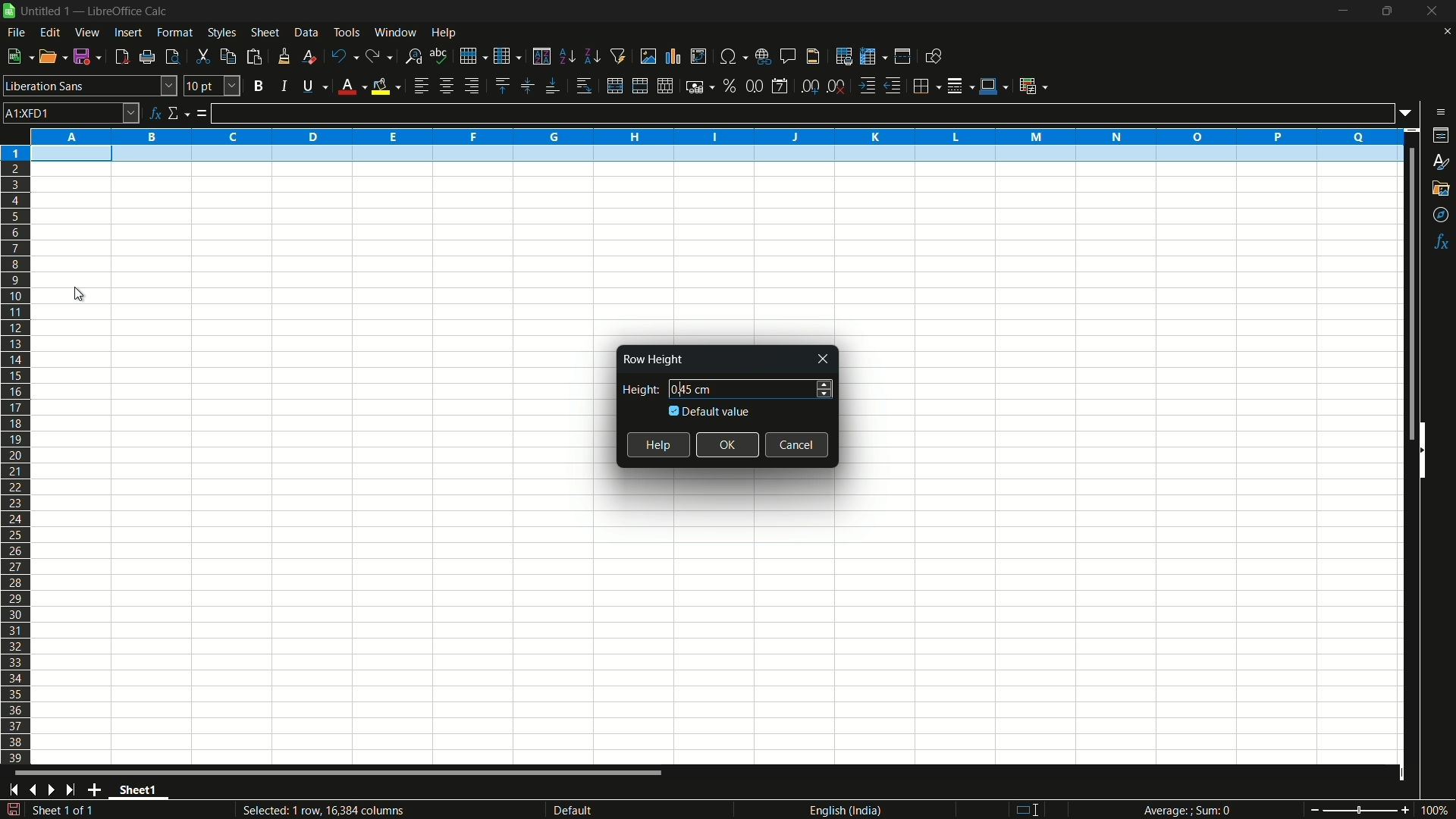  What do you see at coordinates (587, 86) in the screenshot?
I see `wrap text` at bounding box center [587, 86].